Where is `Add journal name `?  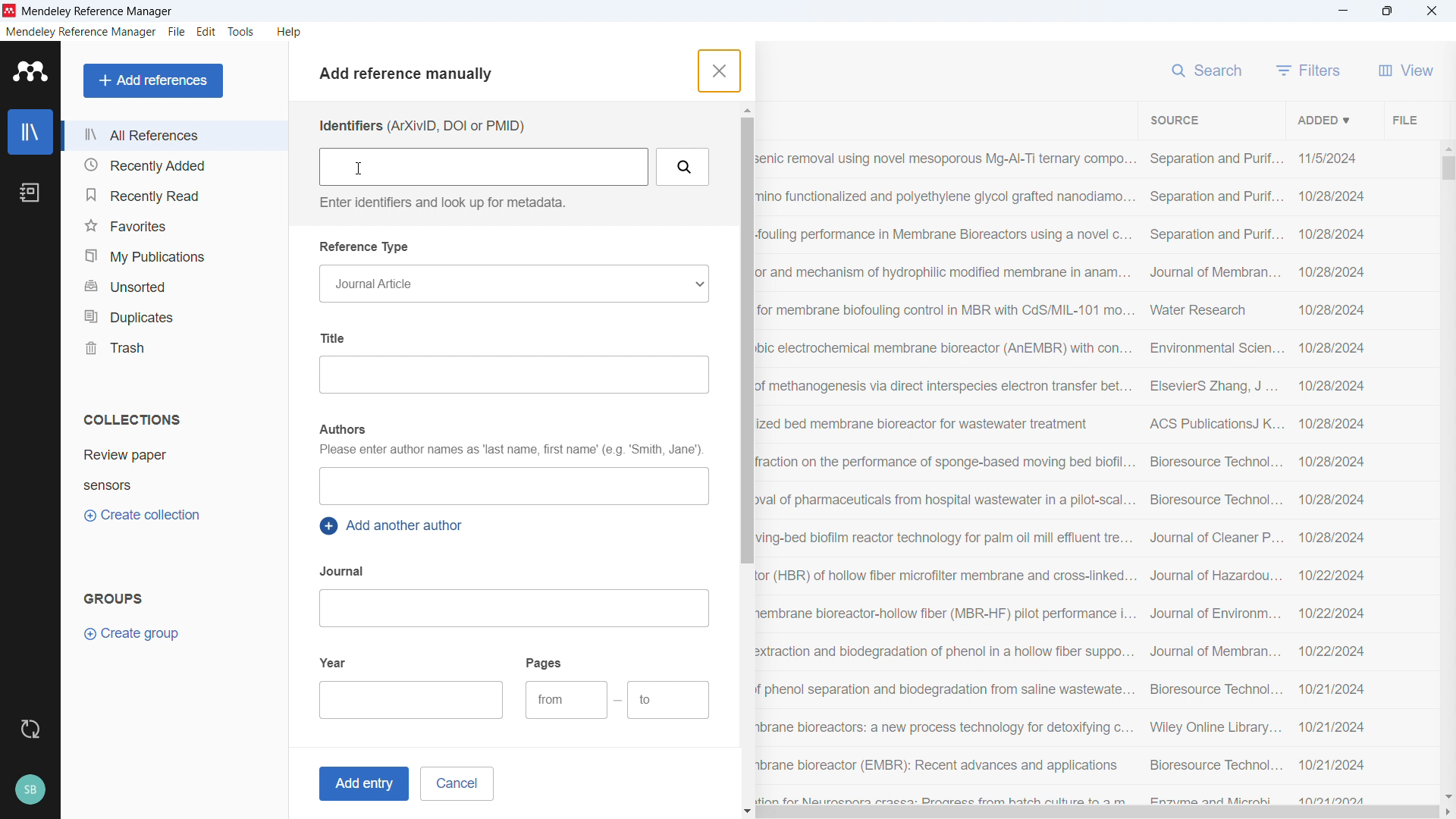 Add journal name  is located at coordinates (513, 608).